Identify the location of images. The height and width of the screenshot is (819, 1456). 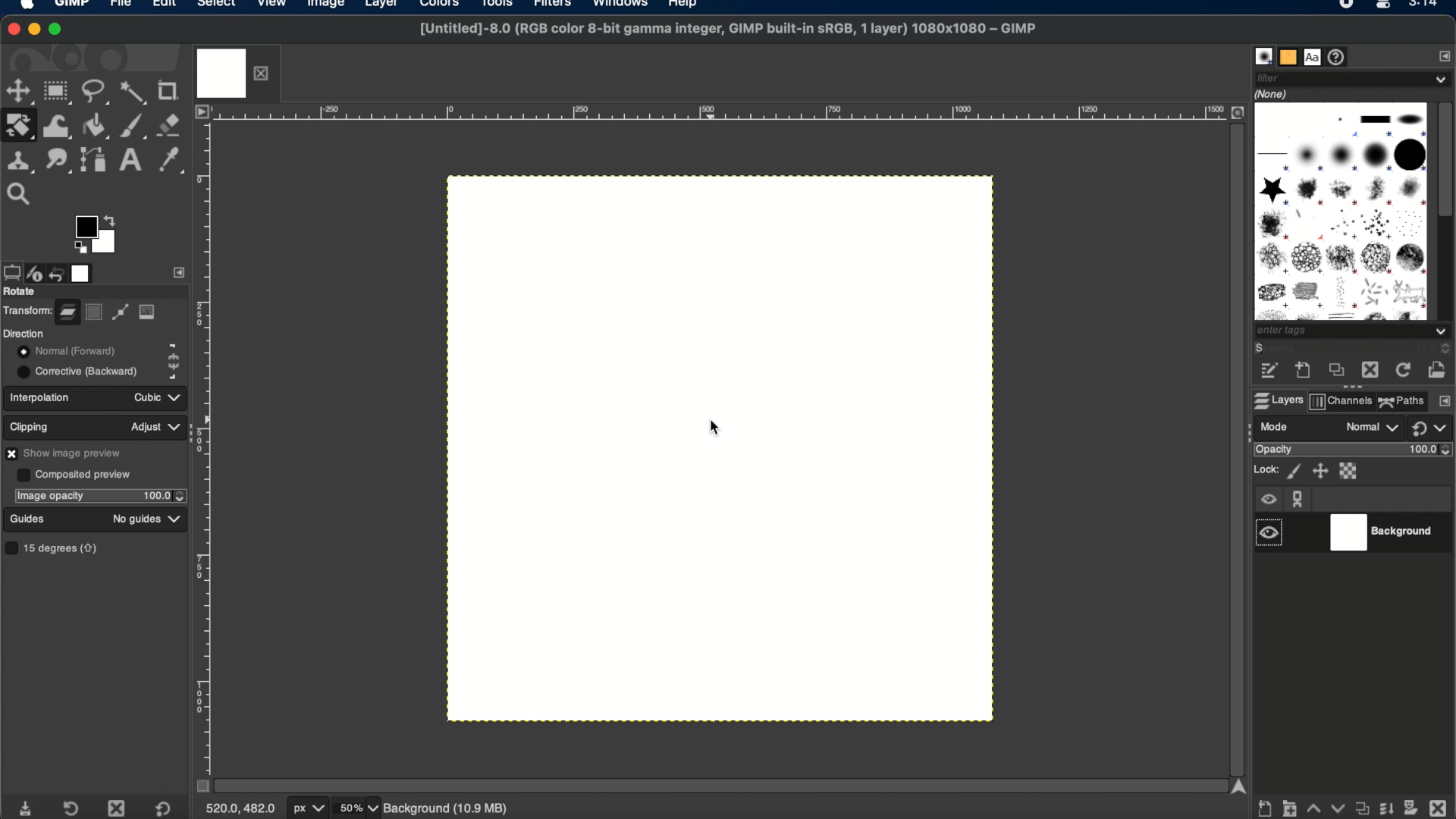
(83, 272).